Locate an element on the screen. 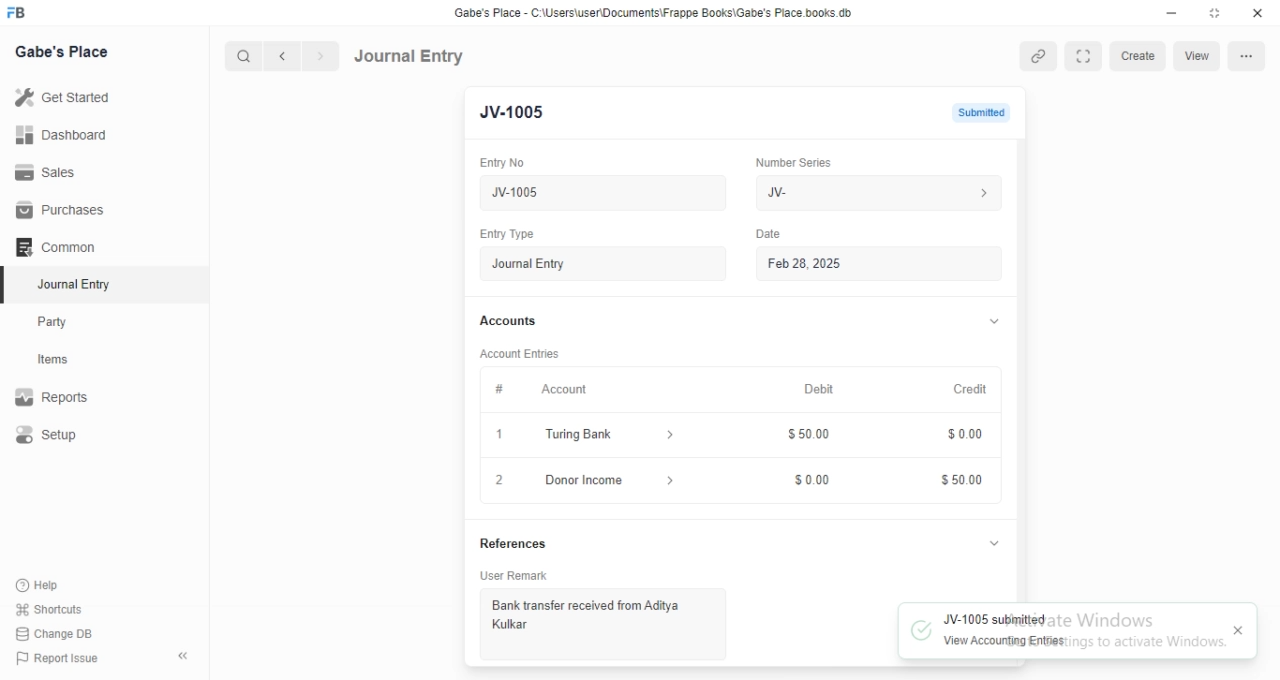 This screenshot has width=1280, height=680. Entry Type is located at coordinates (602, 264).